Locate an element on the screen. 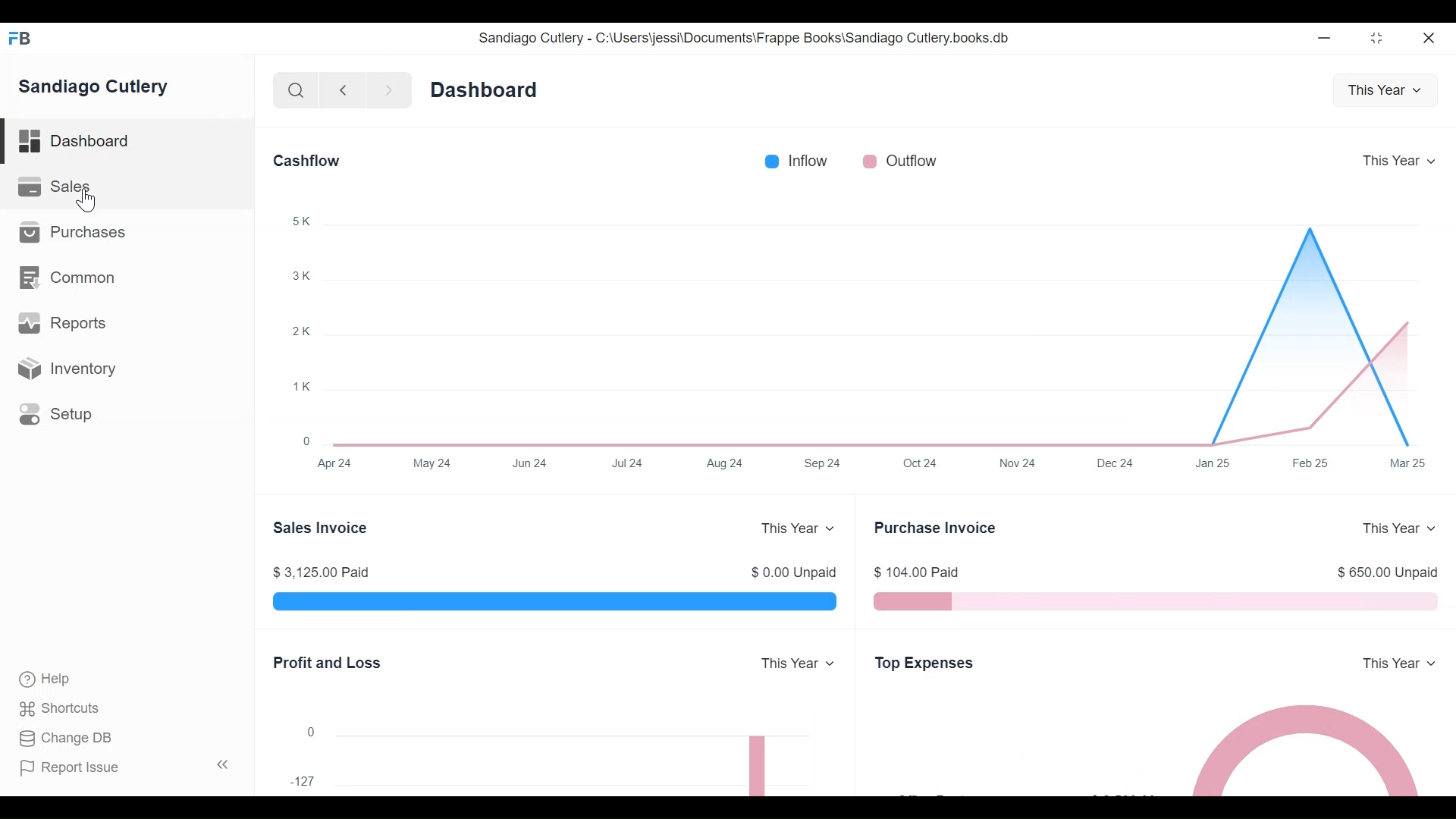 This screenshot has height=819, width=1456. $ 104.00 Paid is located at coordinates (919, 573).